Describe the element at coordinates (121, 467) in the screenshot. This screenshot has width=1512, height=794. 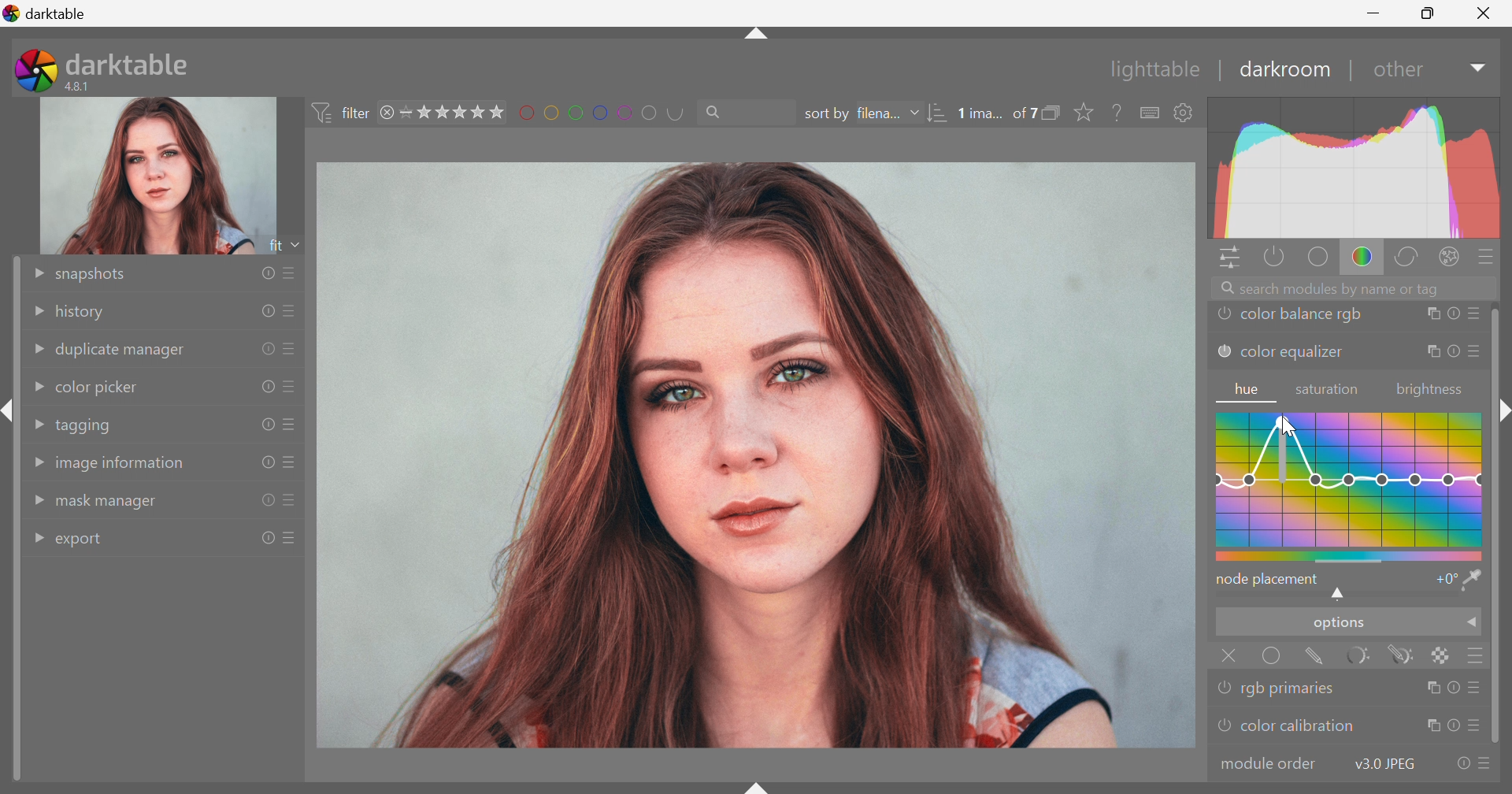
I see `image information` at that location.